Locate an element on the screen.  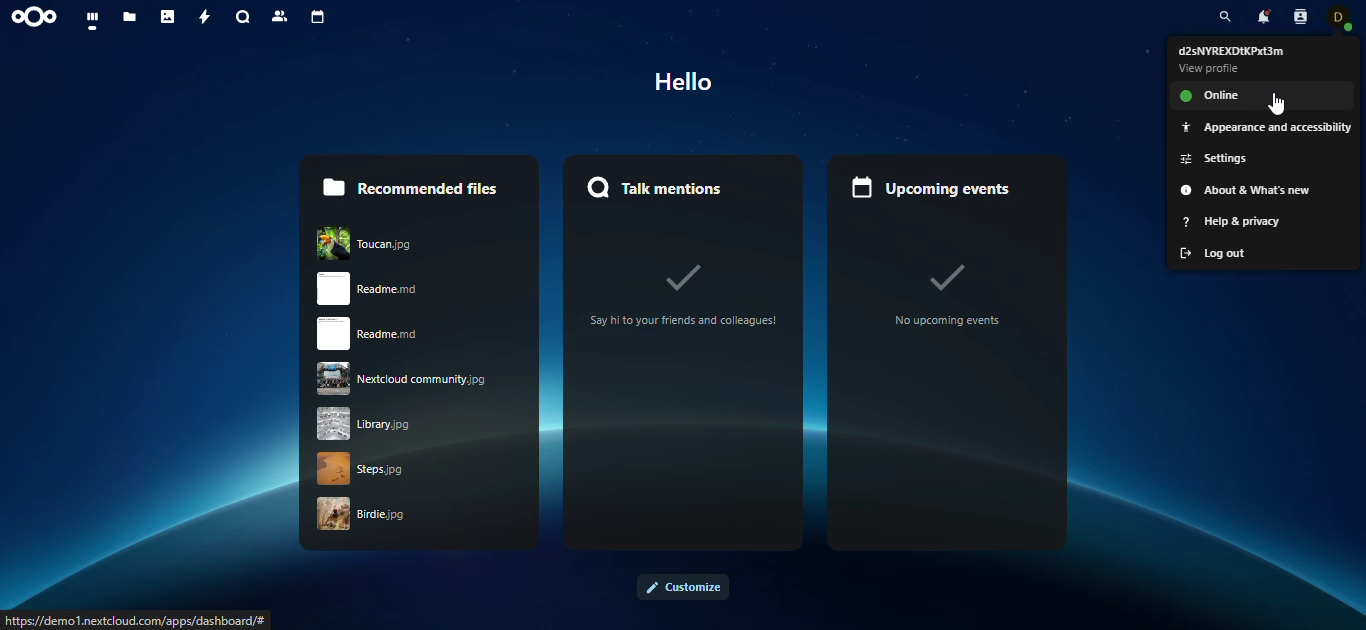
profile is located at coordinates (1256, 58).